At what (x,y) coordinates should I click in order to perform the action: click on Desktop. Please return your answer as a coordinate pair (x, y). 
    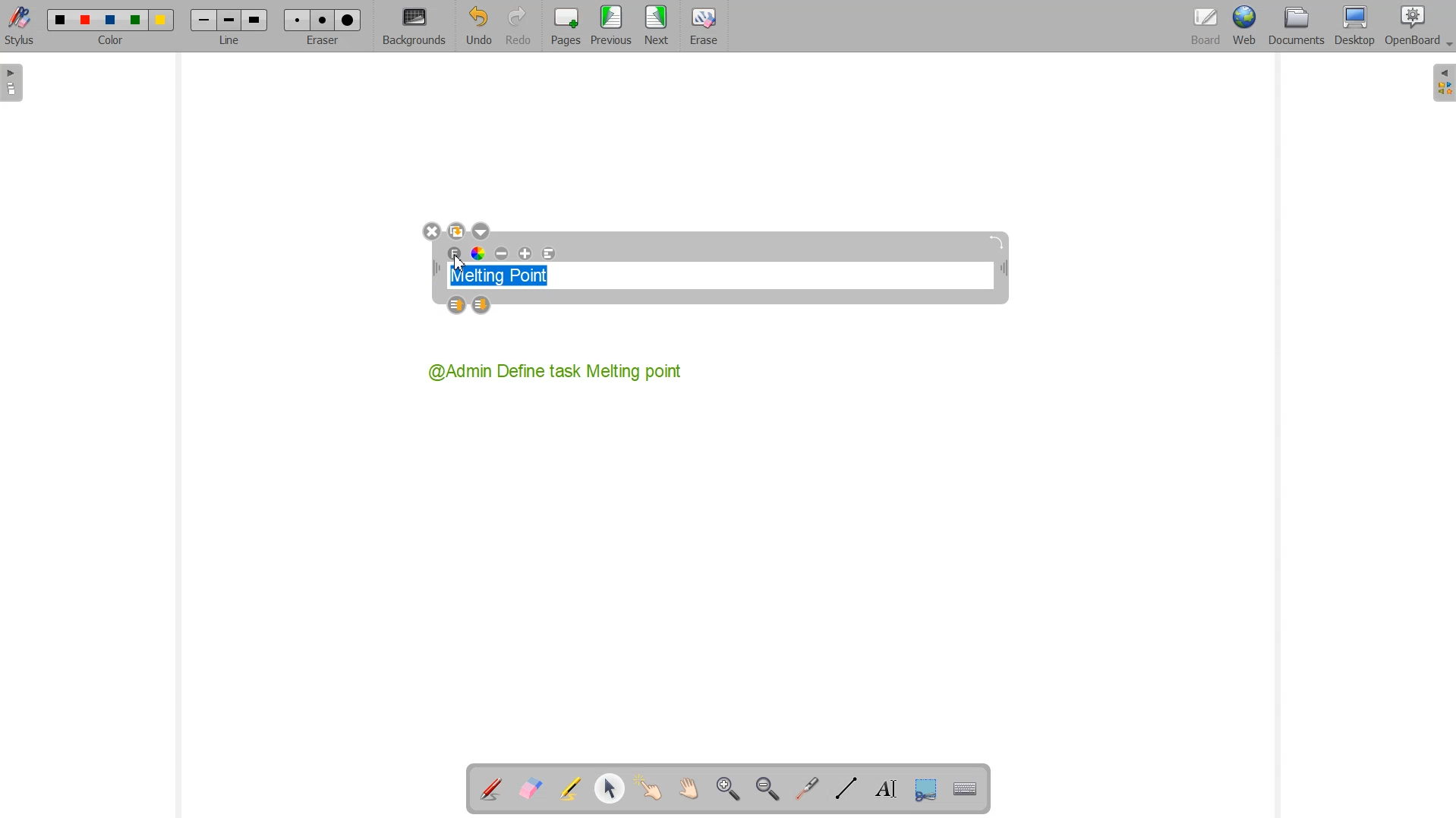
    Looking at the image, I should click on (1356, 27).